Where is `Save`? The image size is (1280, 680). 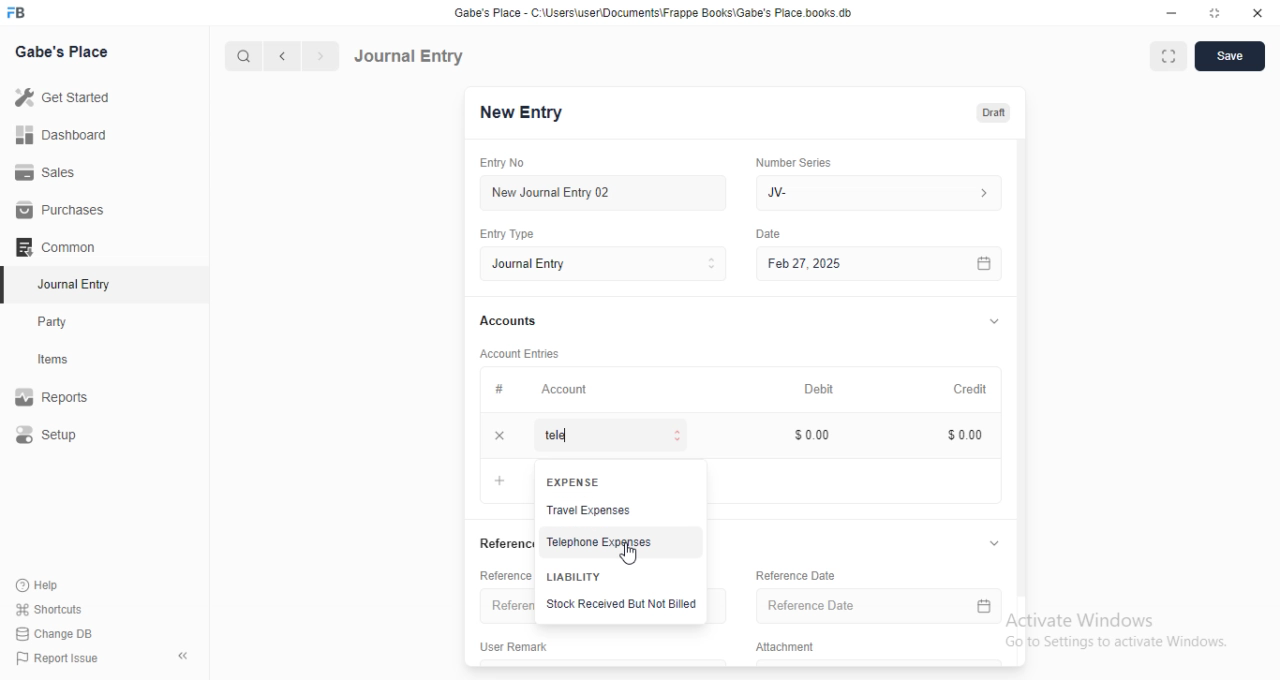
Save is located at coordinates (1230, 56).